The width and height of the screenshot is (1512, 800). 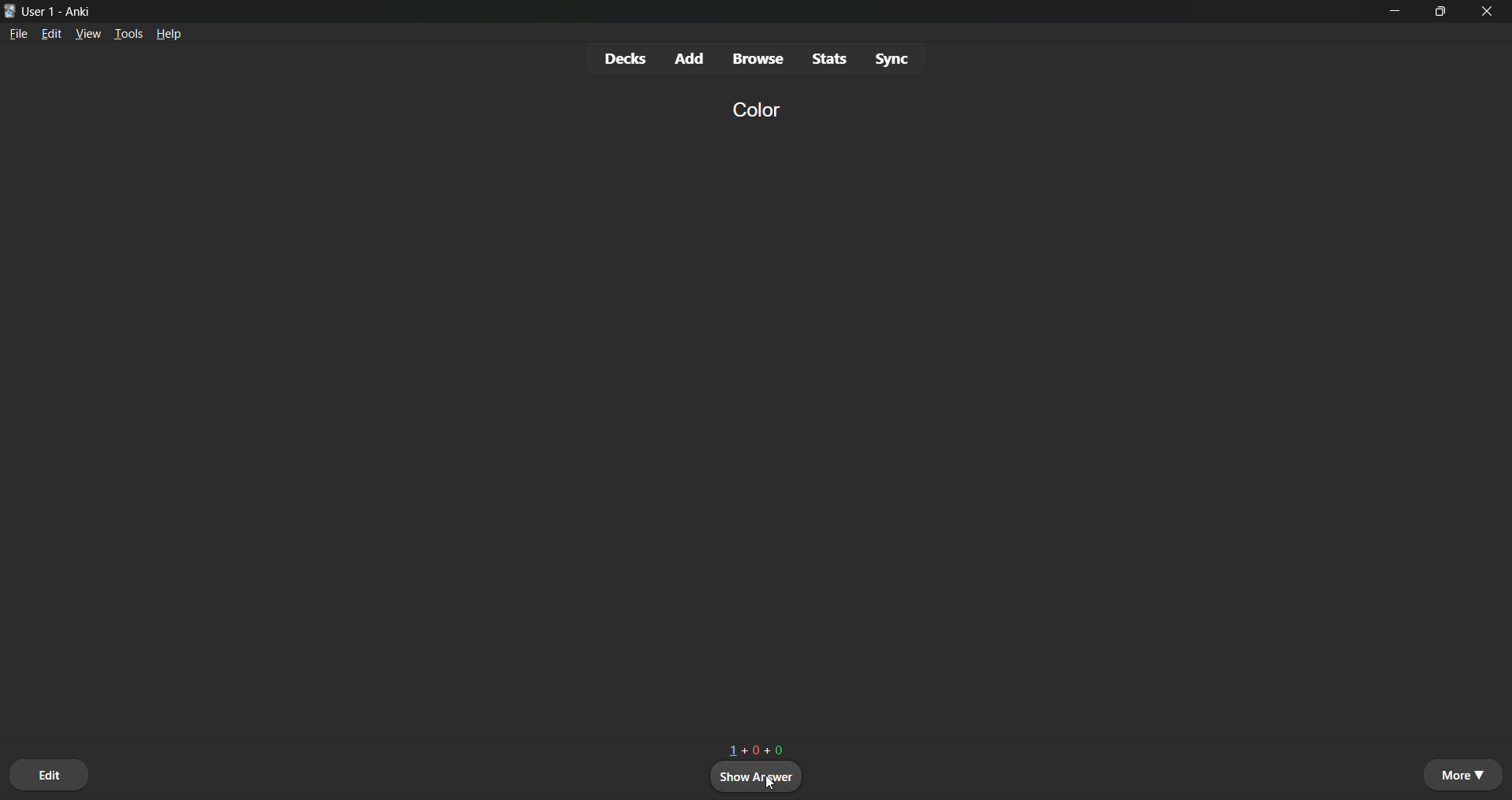 What do you see at coordinates (624, 58) in the screenshot?
I see `decks` at bounding box center [624, 58].